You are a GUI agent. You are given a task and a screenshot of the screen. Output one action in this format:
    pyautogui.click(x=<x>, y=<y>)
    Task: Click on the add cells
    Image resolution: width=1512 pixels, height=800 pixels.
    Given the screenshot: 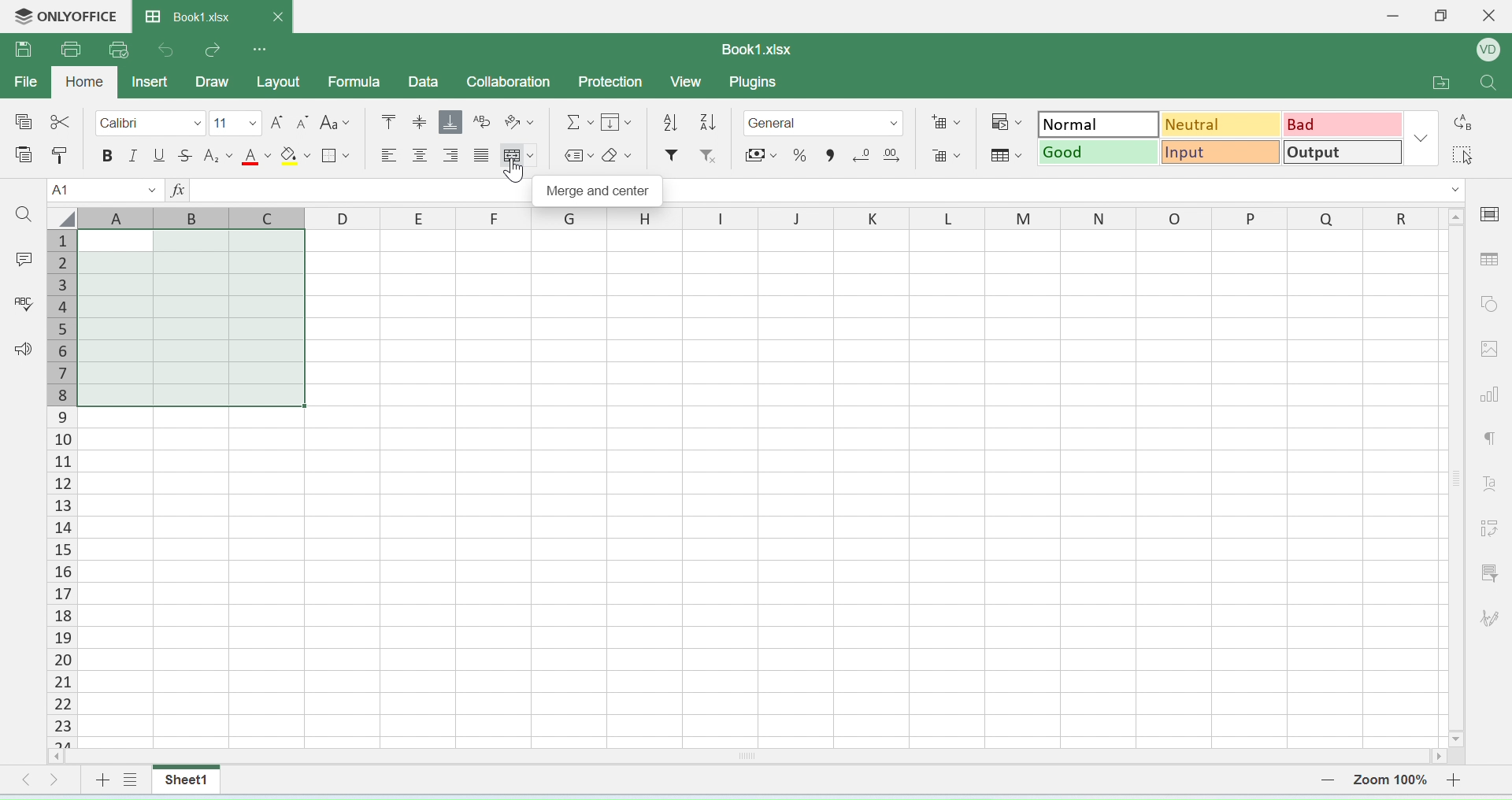 What is the action you would take?
    pyautogui.click(x=945, y=122)
    